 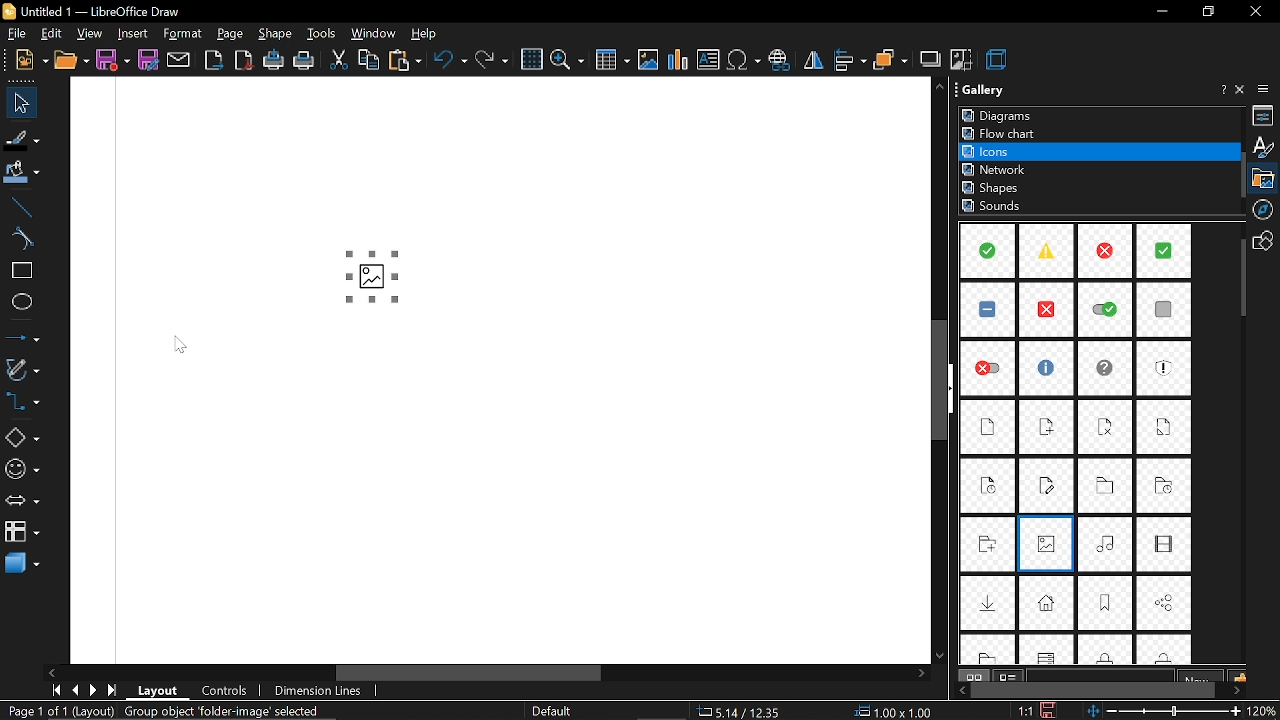 I want to click on view, so click(x=88, y=34).